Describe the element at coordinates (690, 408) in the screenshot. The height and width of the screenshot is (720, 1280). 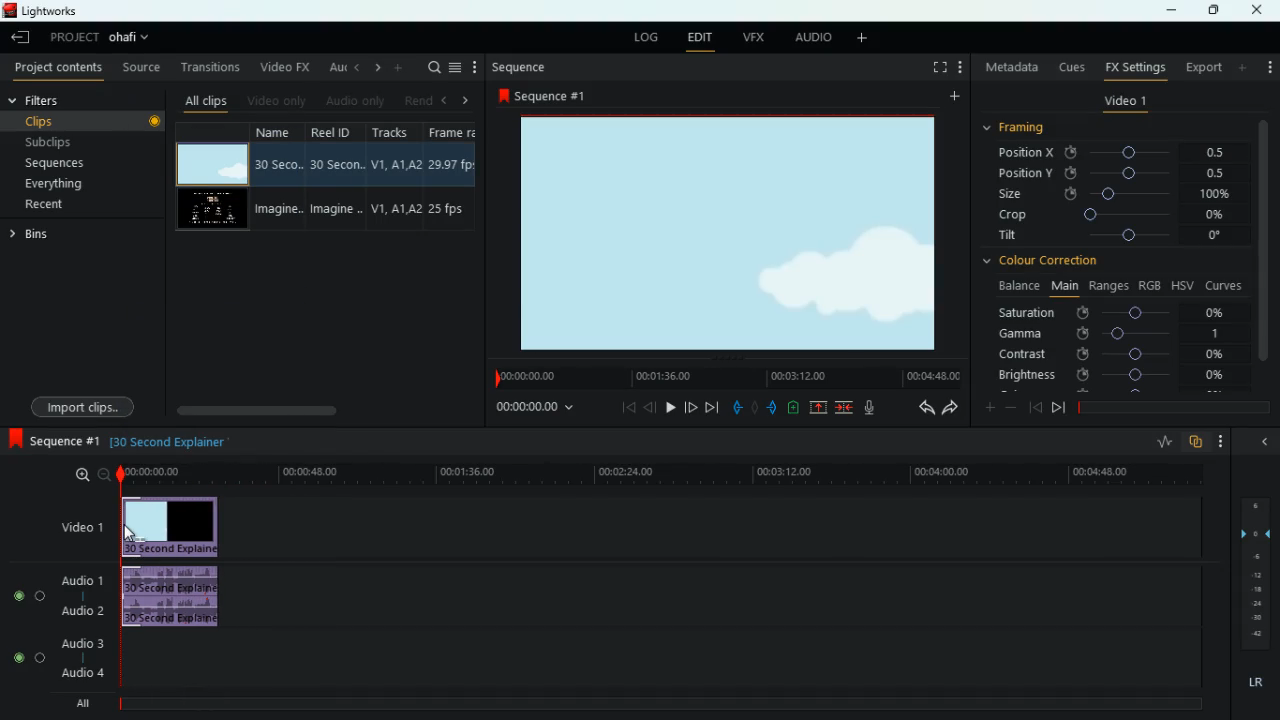
I see `jump` at that location.